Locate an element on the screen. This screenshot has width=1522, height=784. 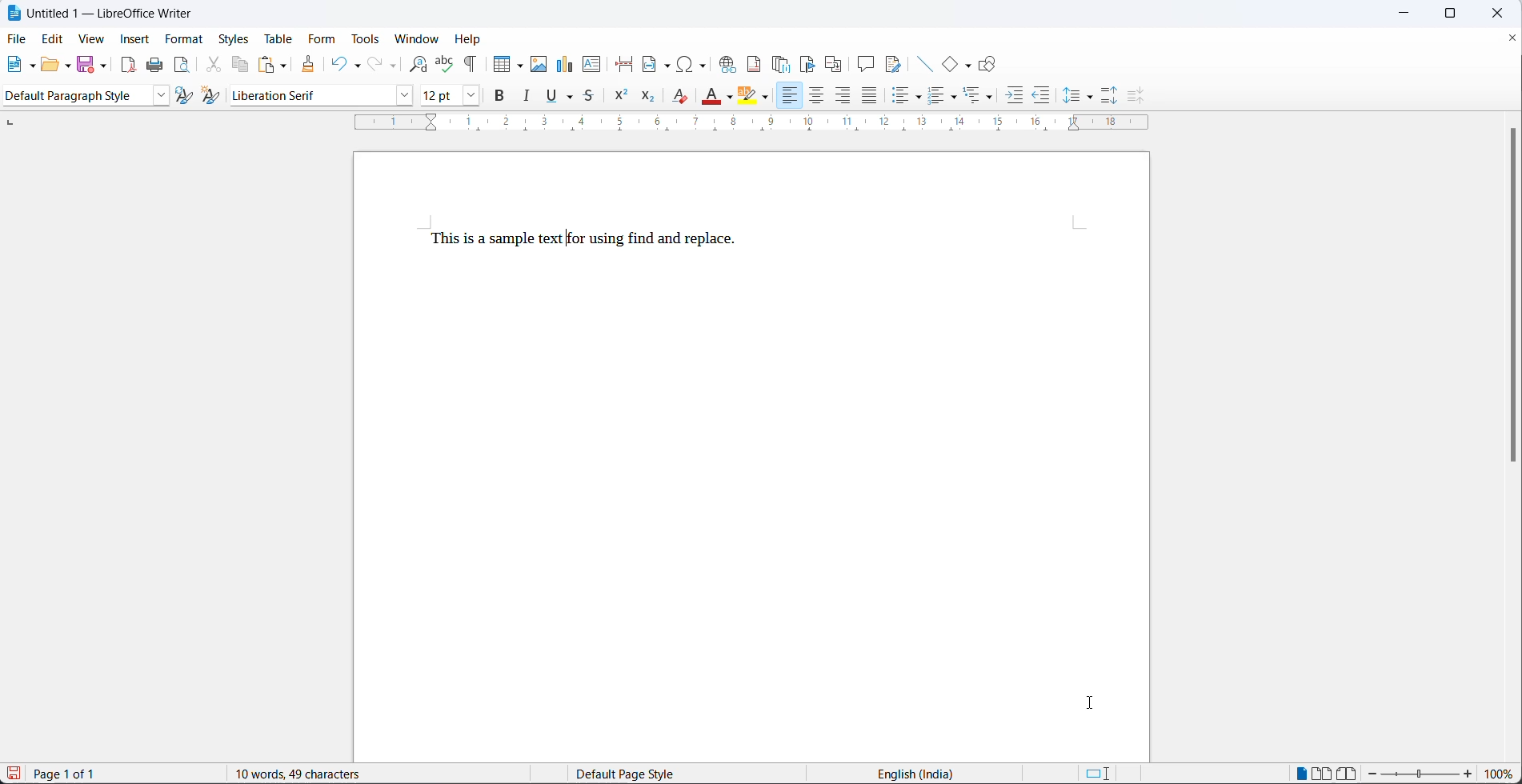
zoom percentage is located at coordinates (1502, 774).